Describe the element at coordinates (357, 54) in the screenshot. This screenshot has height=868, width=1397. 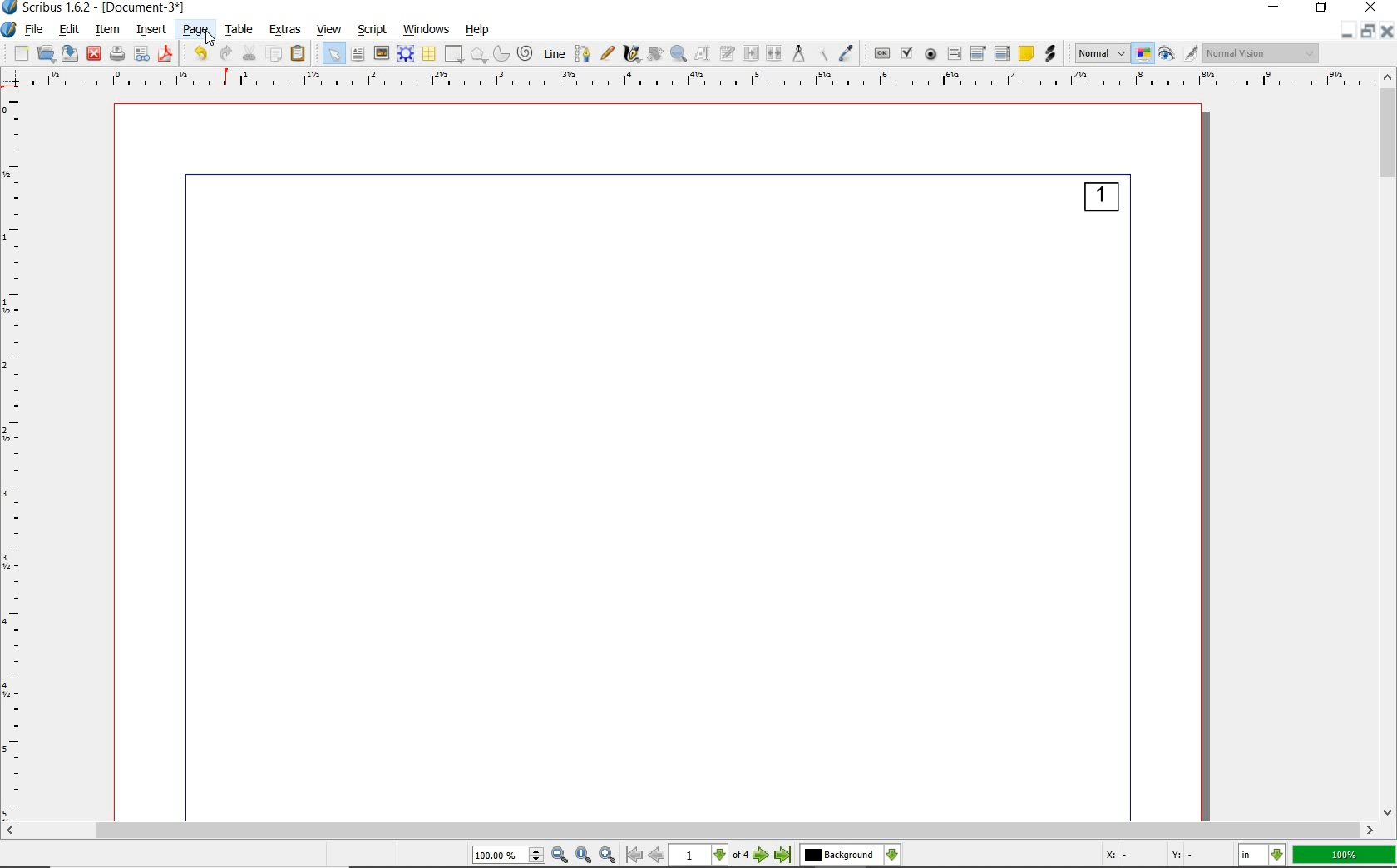
I see `text frame` at that location.